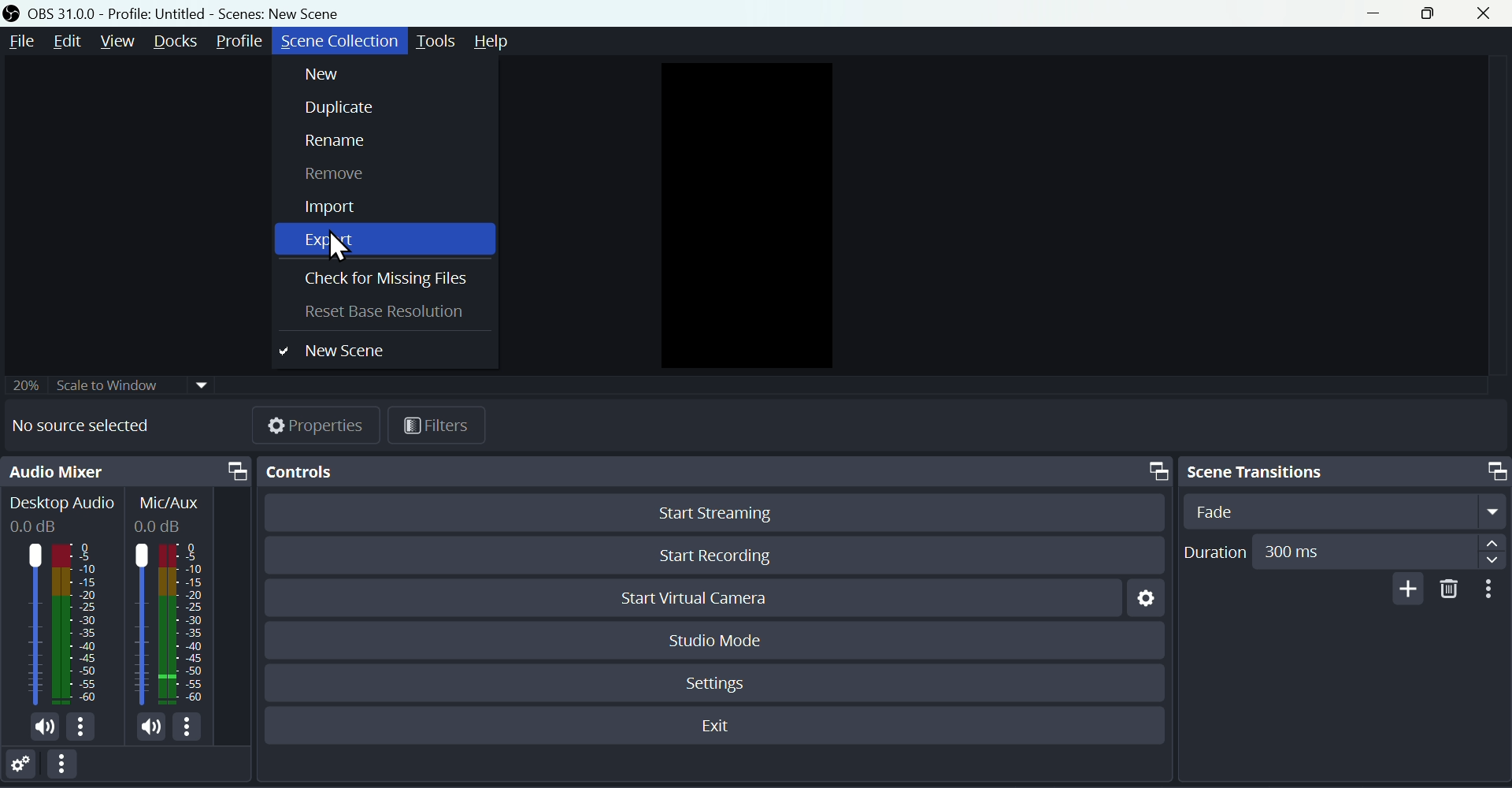  I want to click on Close, so click(1492, 13).